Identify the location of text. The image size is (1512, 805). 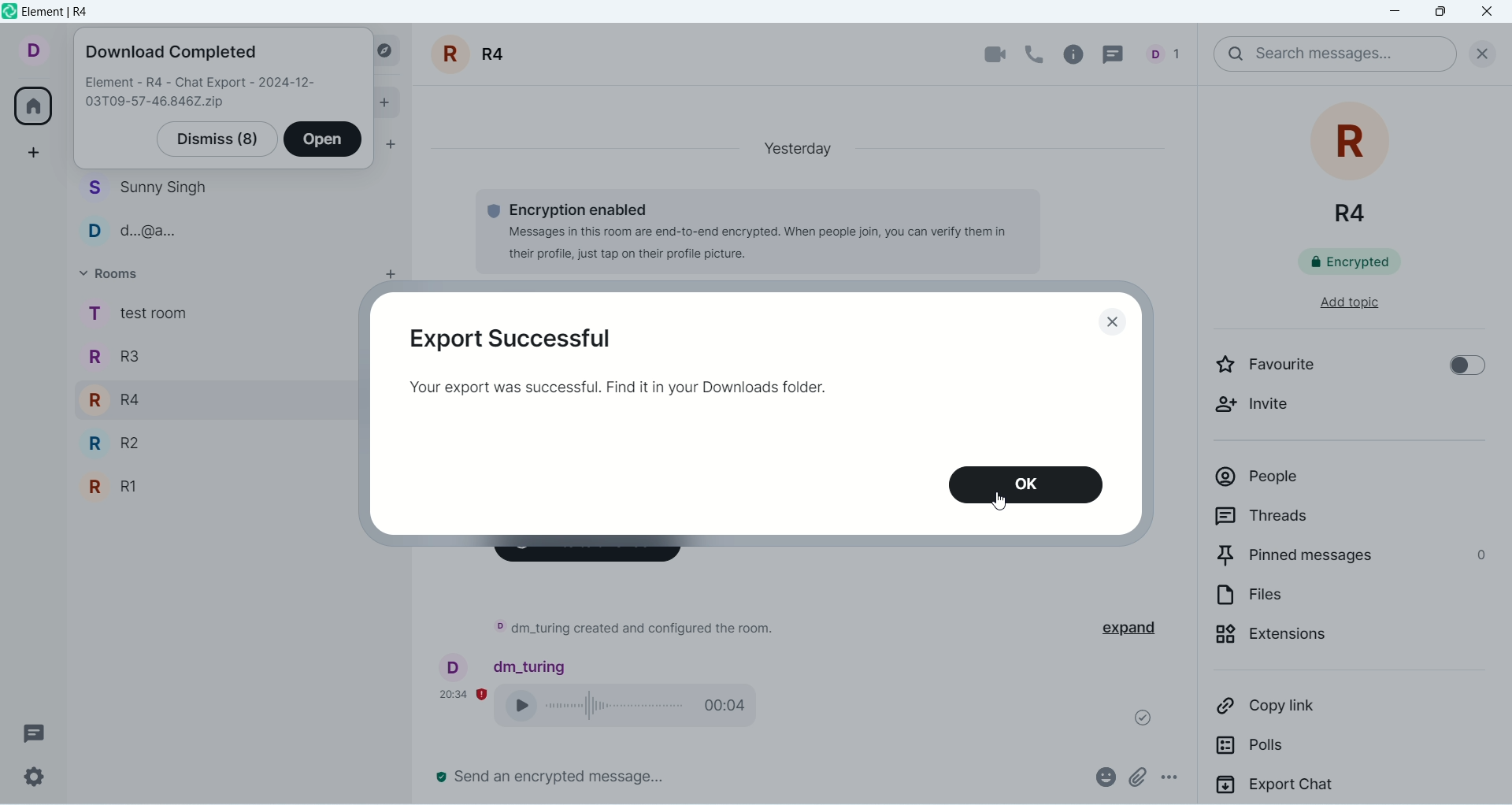
(202, 94).